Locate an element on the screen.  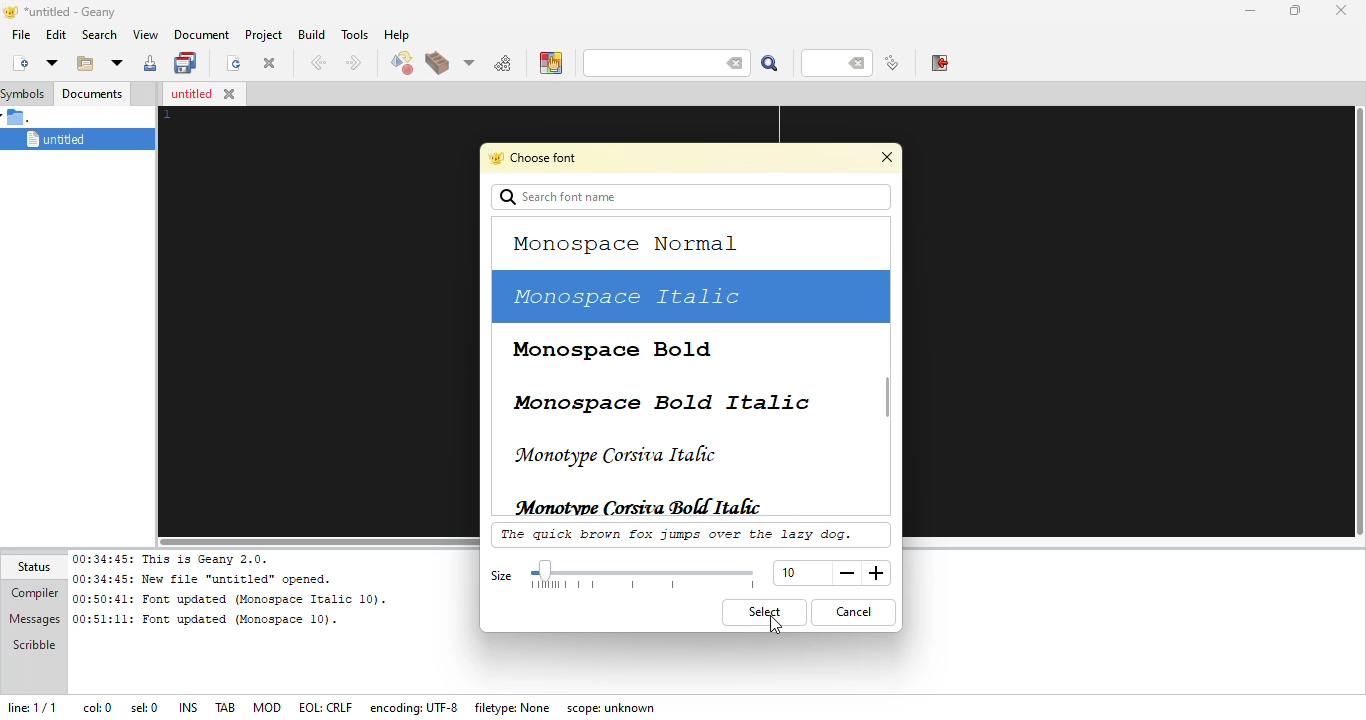
*untitled - geany is located at coordinates (81, 11).